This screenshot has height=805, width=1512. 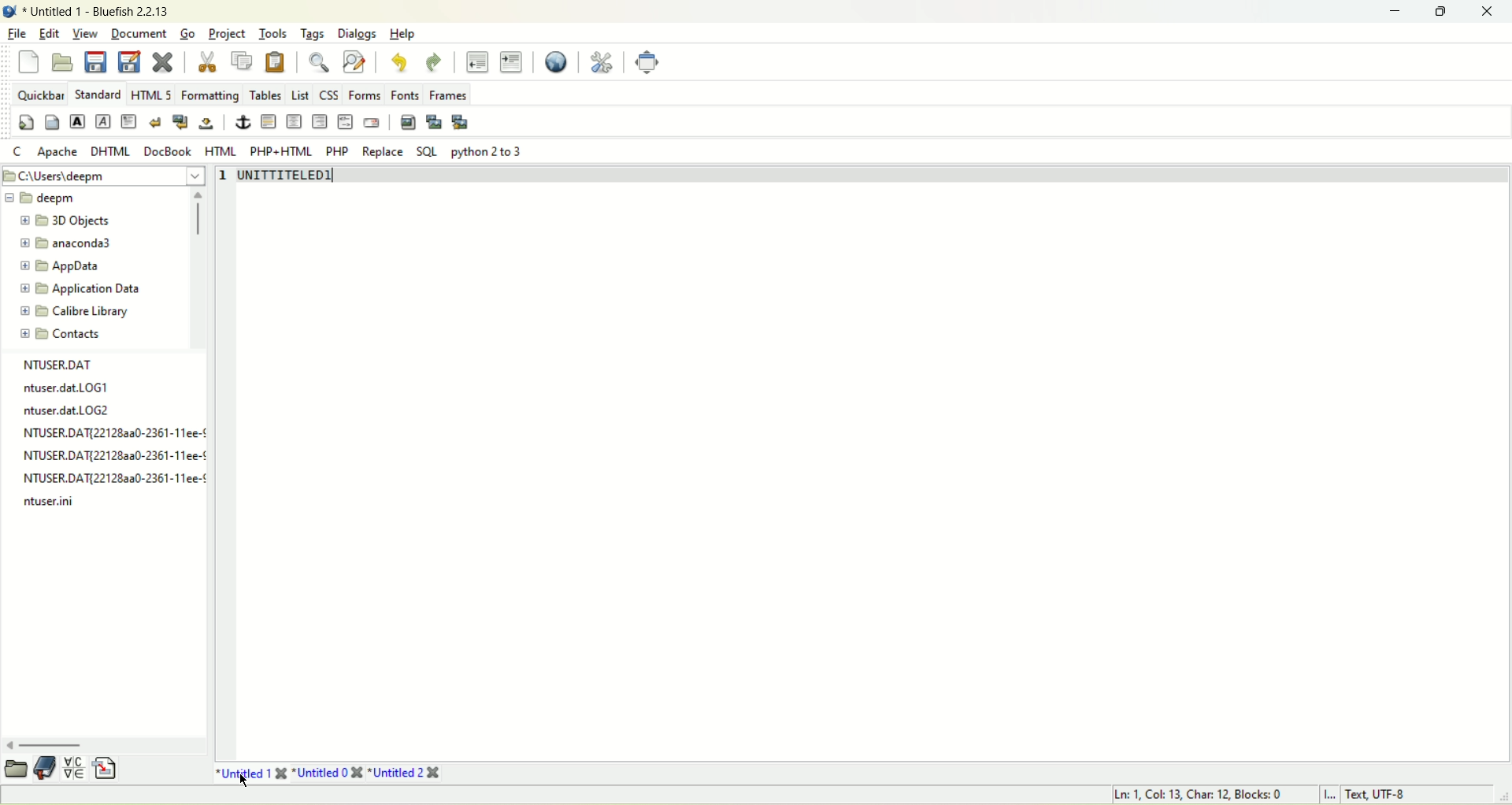 I want to click on undo, so click(x=400, y=60).